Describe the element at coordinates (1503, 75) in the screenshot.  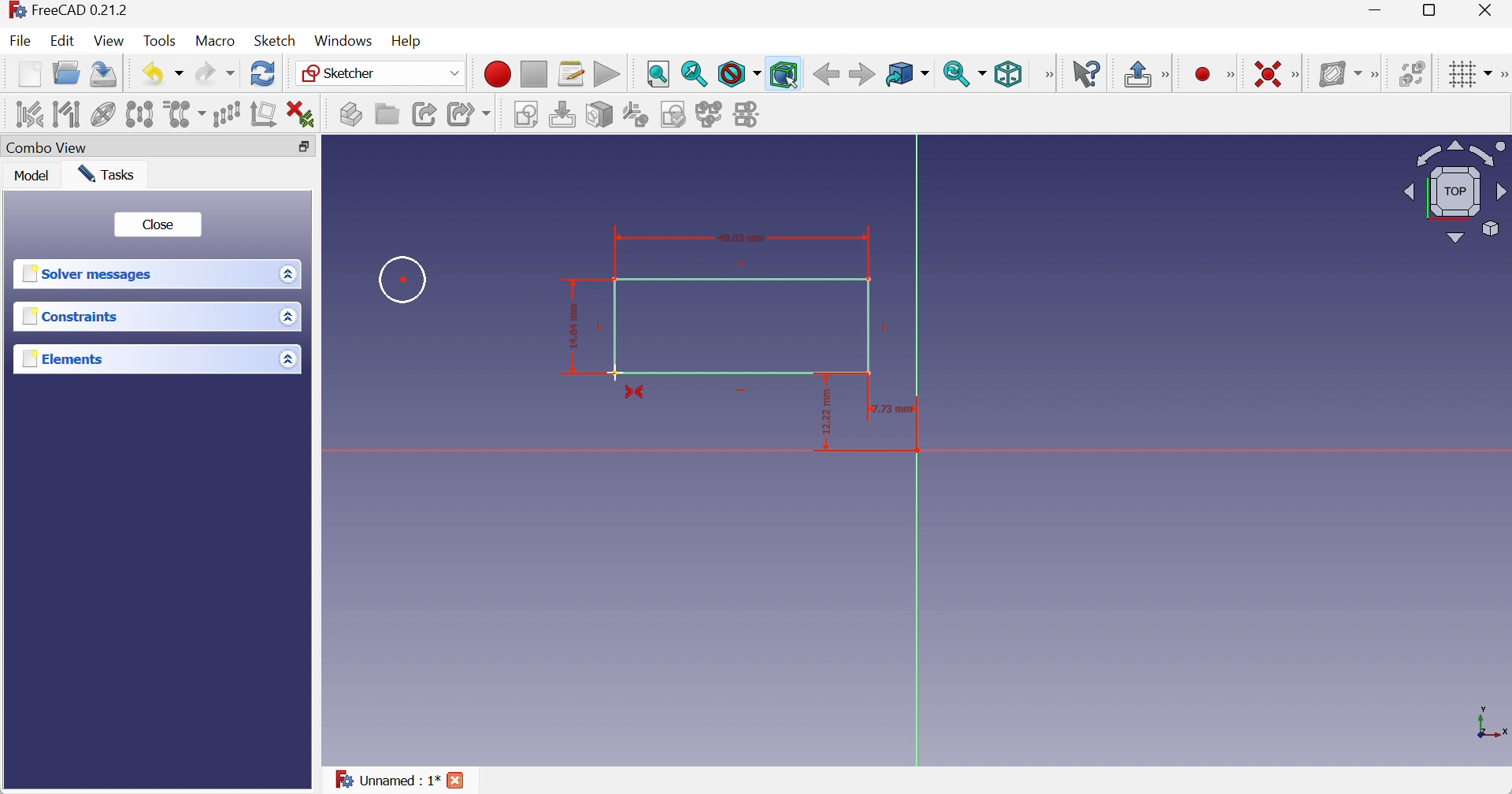
I see `[Sketcher edit tools]` at that location.